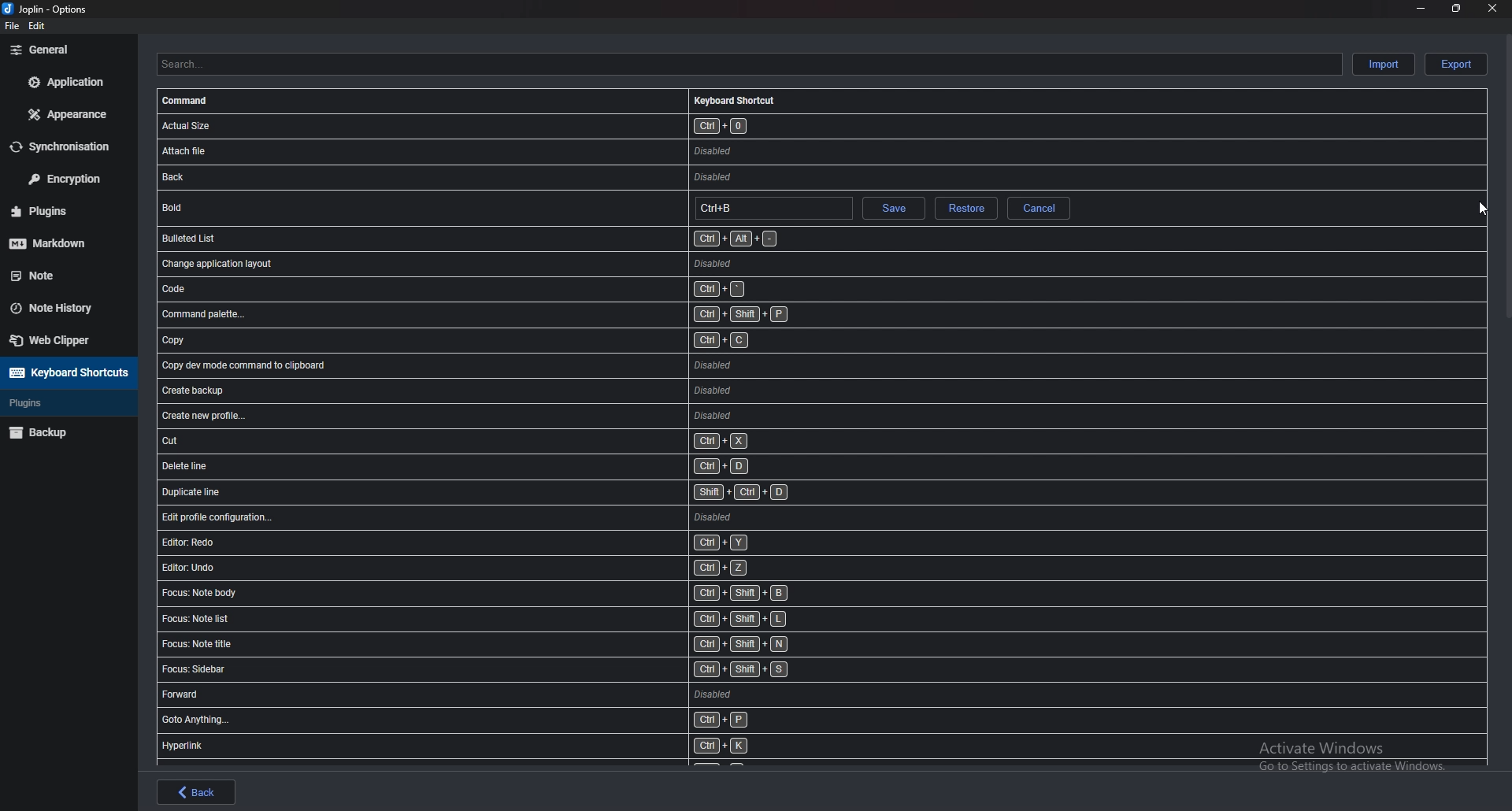 This screenshot has height=811, width=1512. Describe the element at coordinates (520, 618) in the screenshot. I see `shortcut` at that location.